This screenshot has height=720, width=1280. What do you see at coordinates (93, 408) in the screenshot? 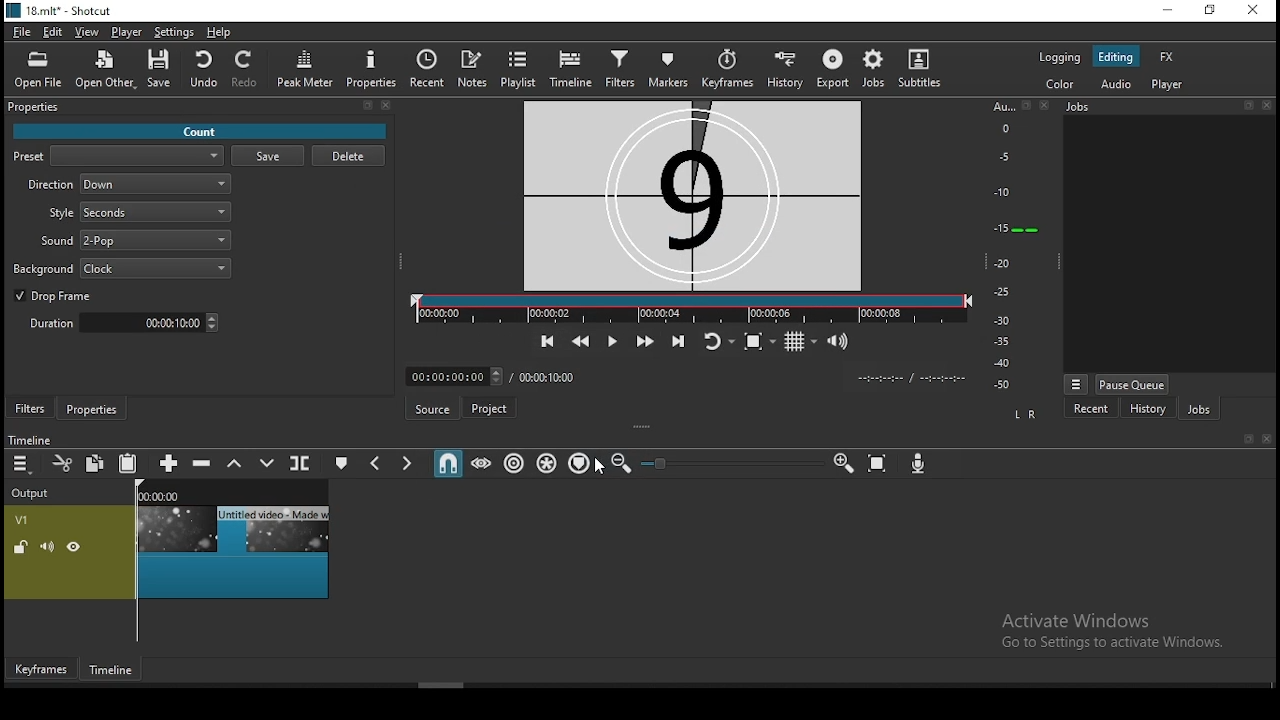
I see `` at bounding box center [93, 408].